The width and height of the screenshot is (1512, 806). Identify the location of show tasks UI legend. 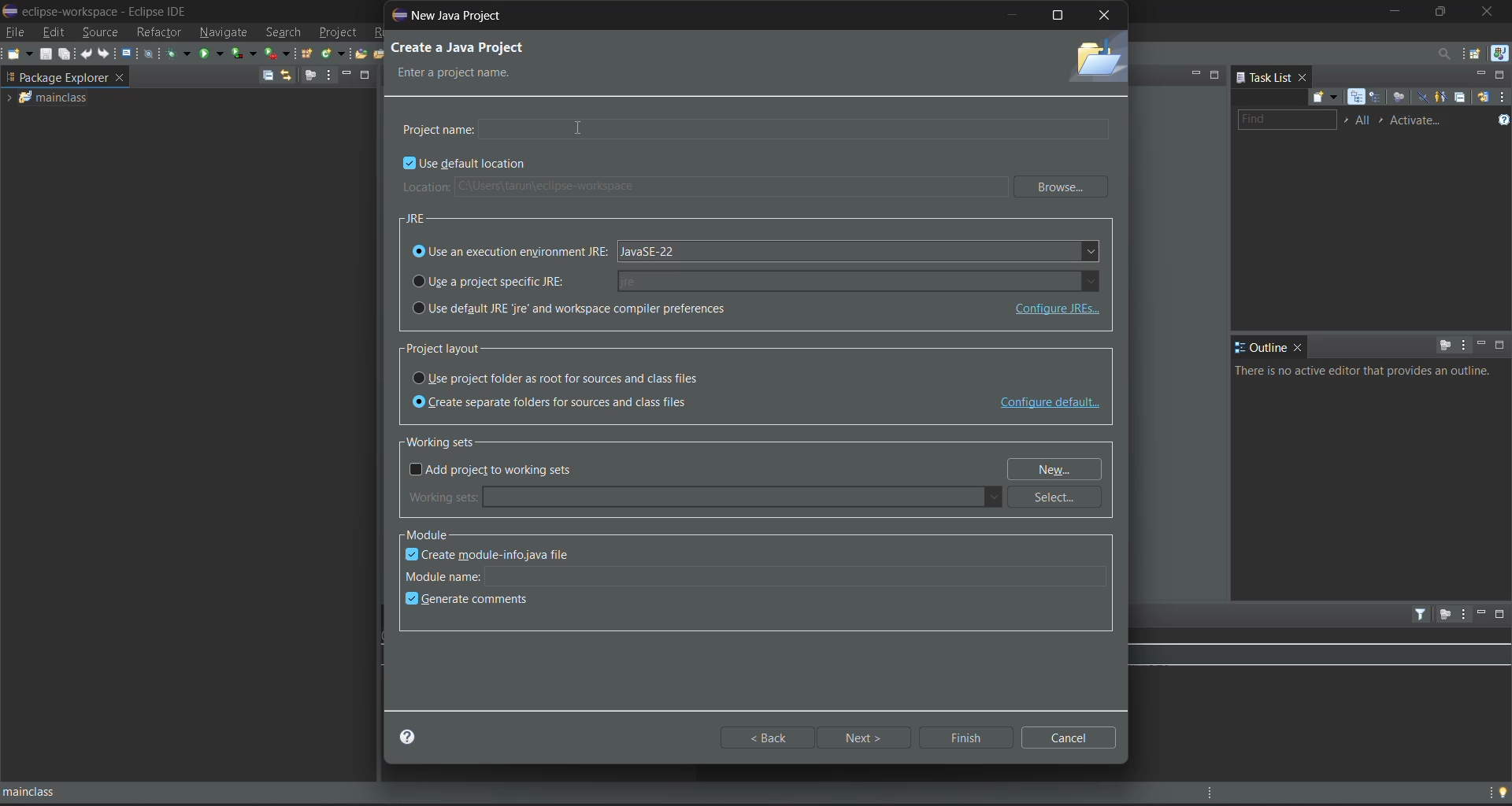
(1503, 120).